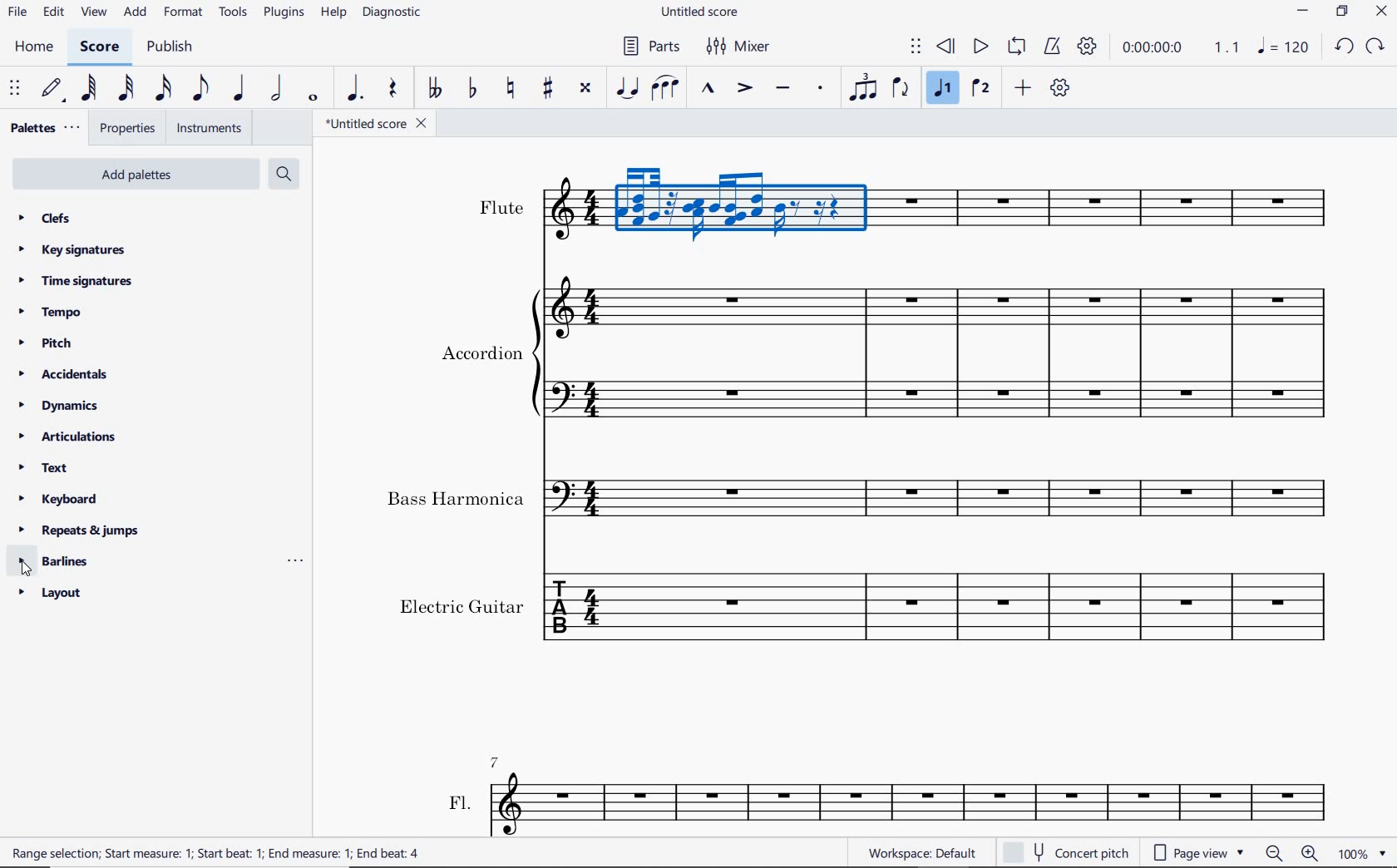 This screenshot has width=1397, height=868. What do you see at coordinates (59, 560) in the screenshot?
I see `barlines` at bounding box center [59, 560].